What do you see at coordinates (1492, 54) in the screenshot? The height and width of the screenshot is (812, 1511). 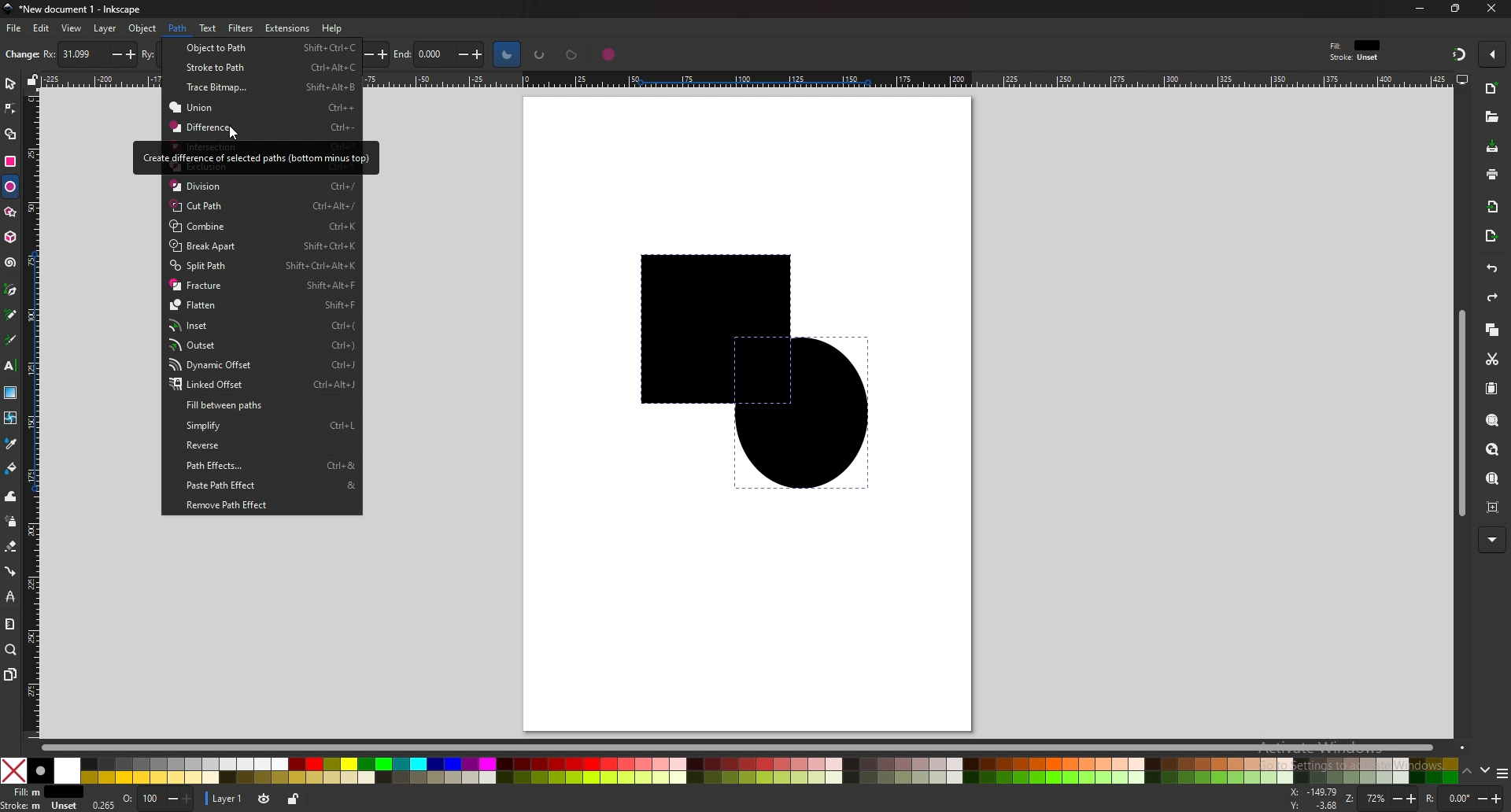 I see `enable snapping` at bounding box center [1492, 54].